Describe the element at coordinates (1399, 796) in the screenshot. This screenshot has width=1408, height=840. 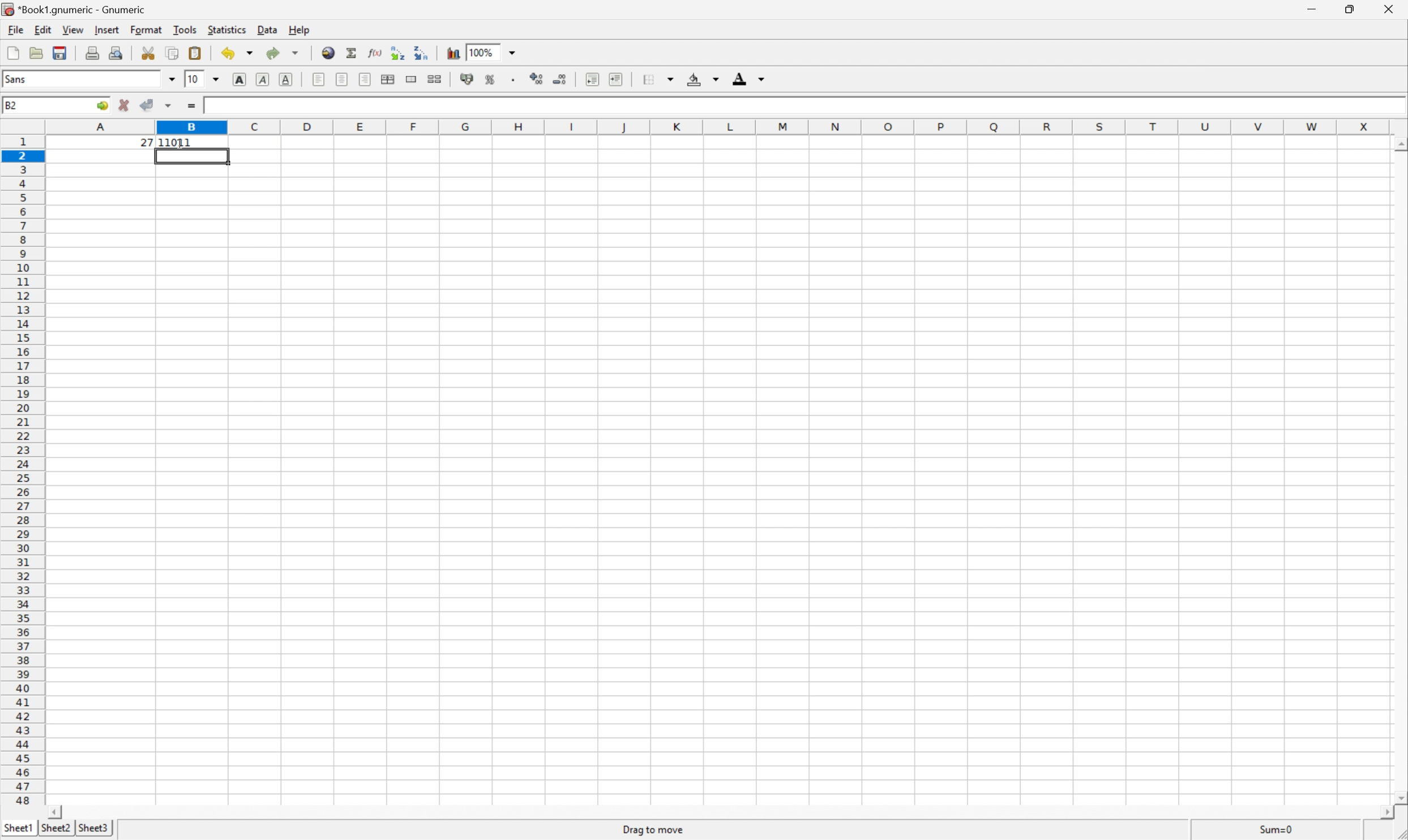
I see `Scroll Down` at that location.